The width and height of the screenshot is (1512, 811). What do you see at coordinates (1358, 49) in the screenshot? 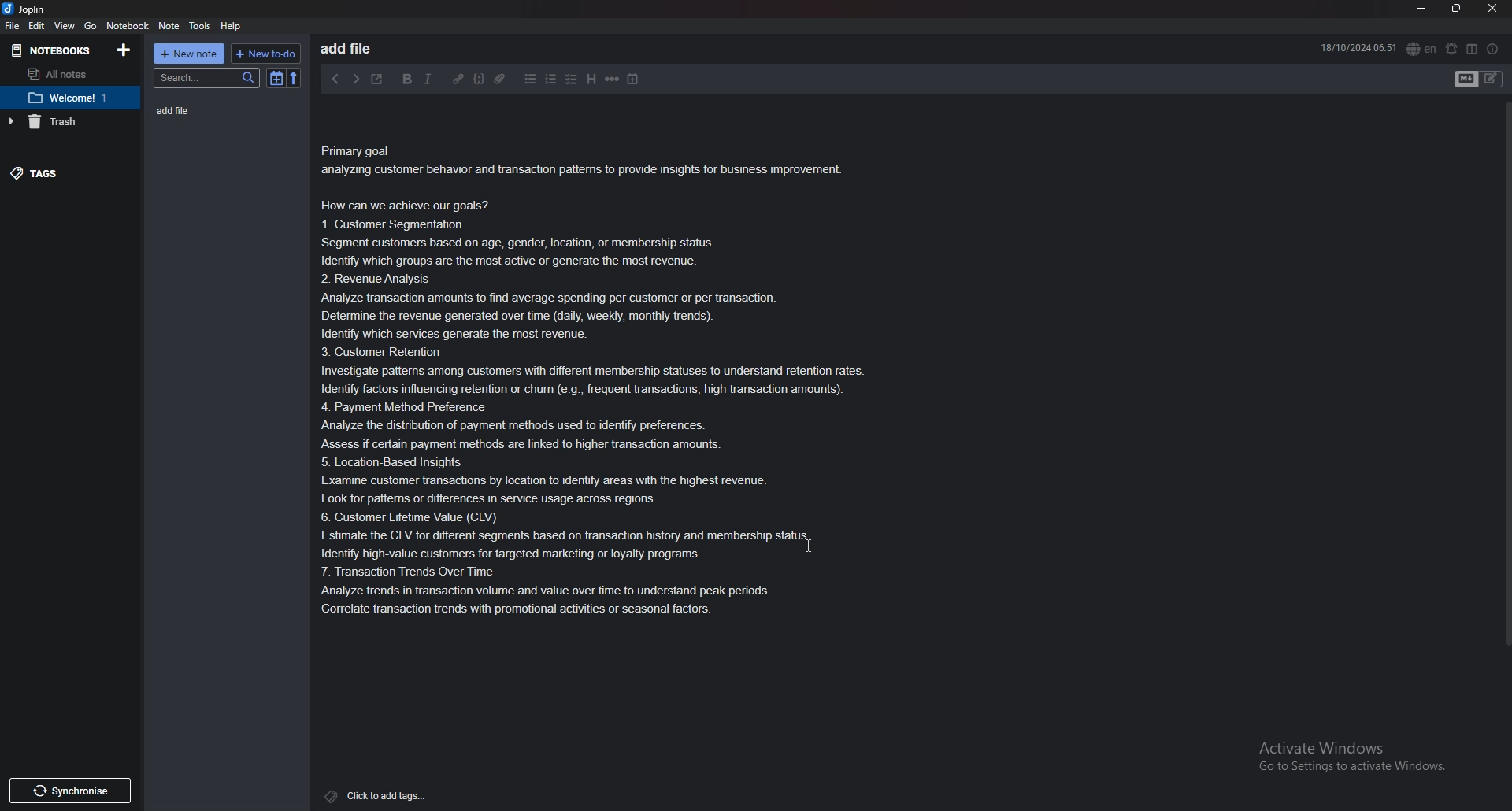
I see `time` at bounding box center [1358, 49].